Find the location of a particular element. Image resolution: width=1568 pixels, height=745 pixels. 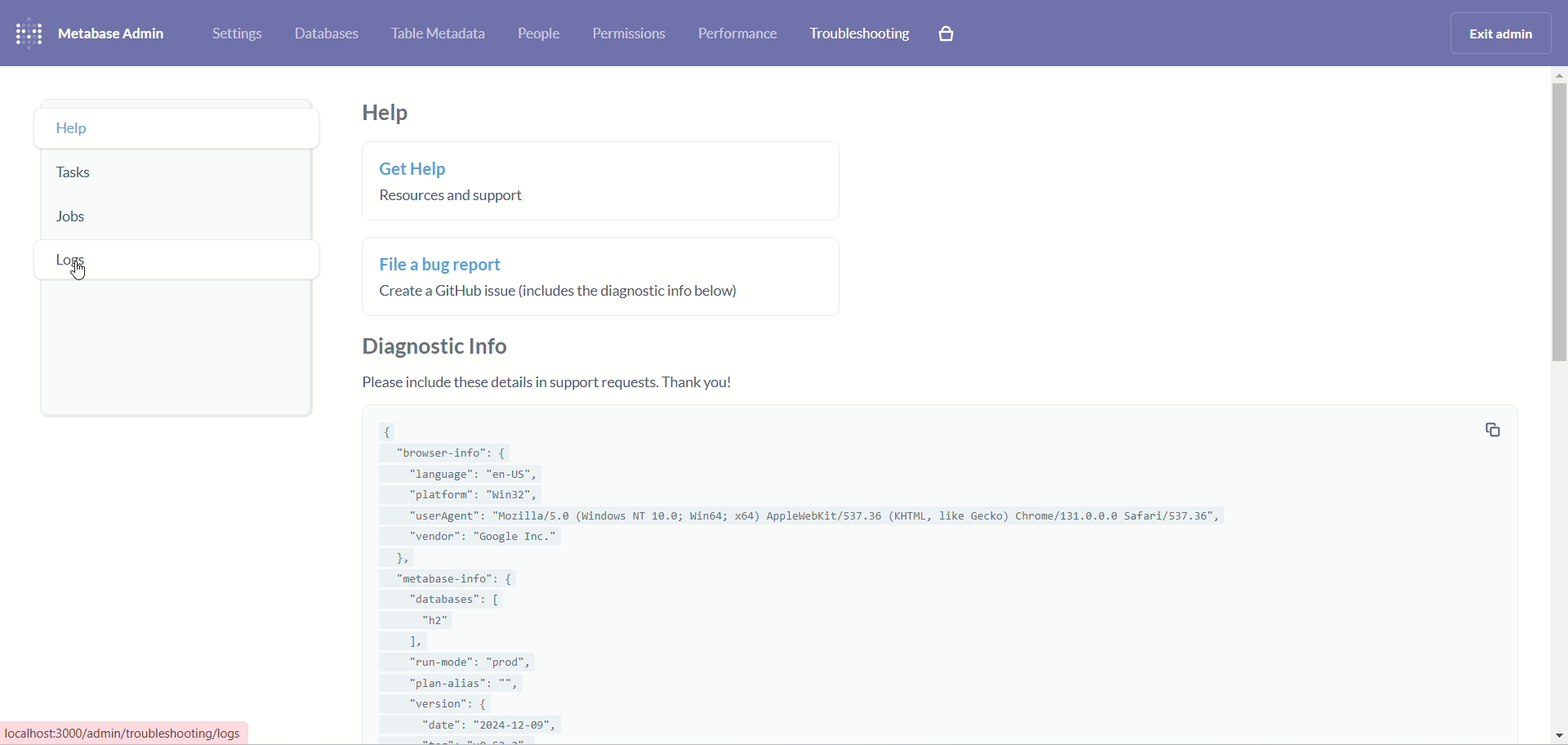

logs is located at coordinates (175, 260).